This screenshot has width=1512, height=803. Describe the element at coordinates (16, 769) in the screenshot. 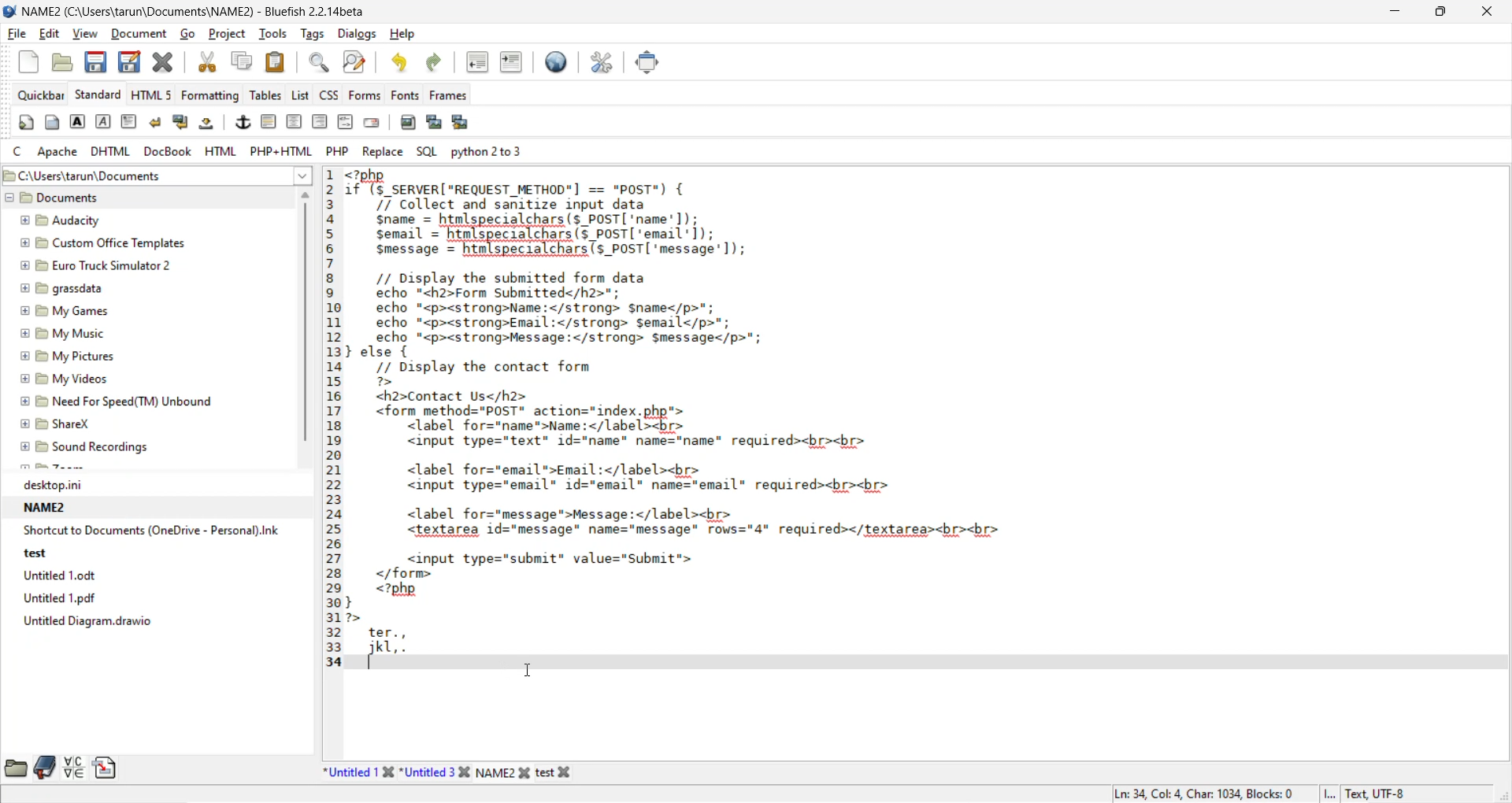

I see `file browser` at that location.